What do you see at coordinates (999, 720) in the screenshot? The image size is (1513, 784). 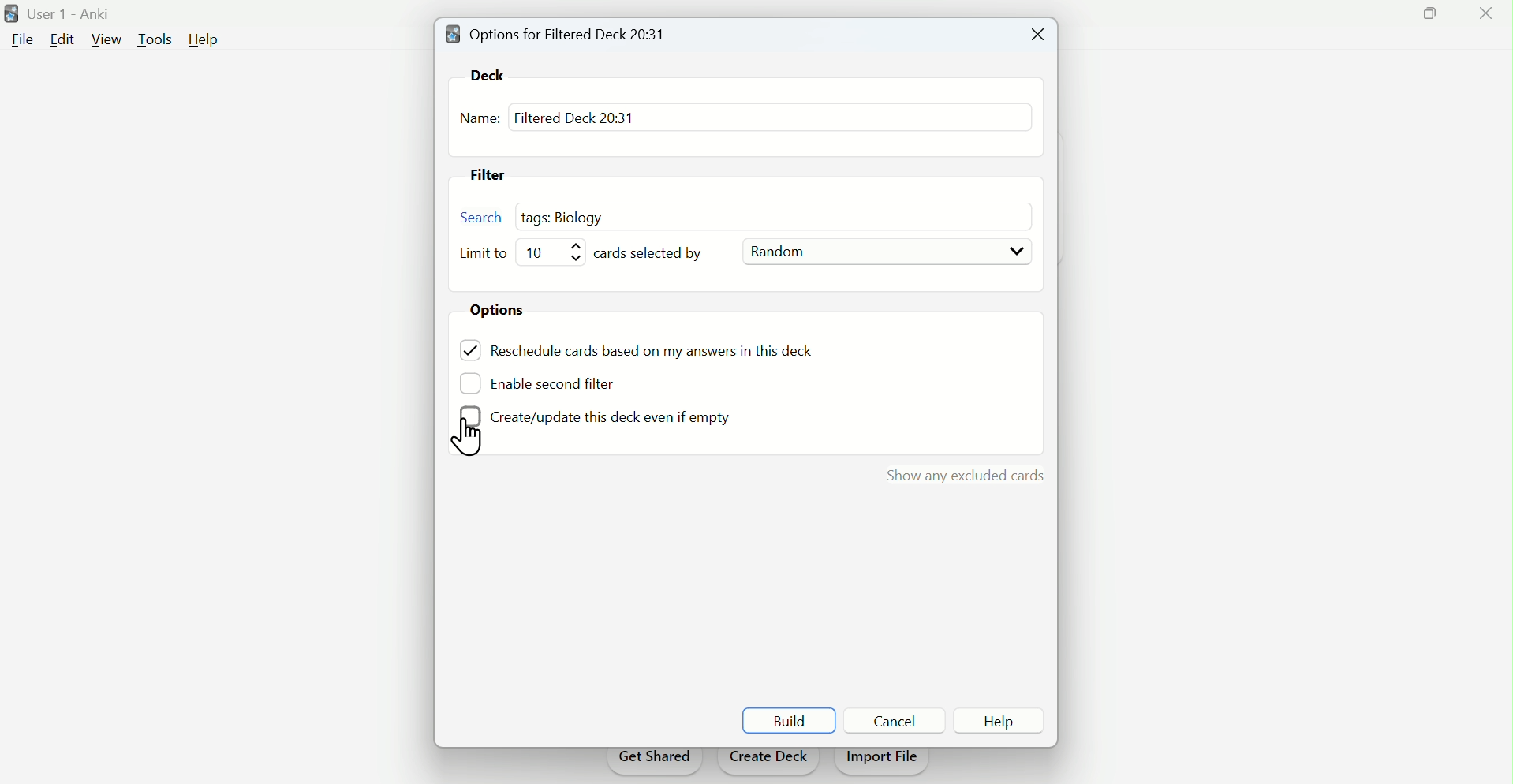 I see `` at bounding box center [999, 720].